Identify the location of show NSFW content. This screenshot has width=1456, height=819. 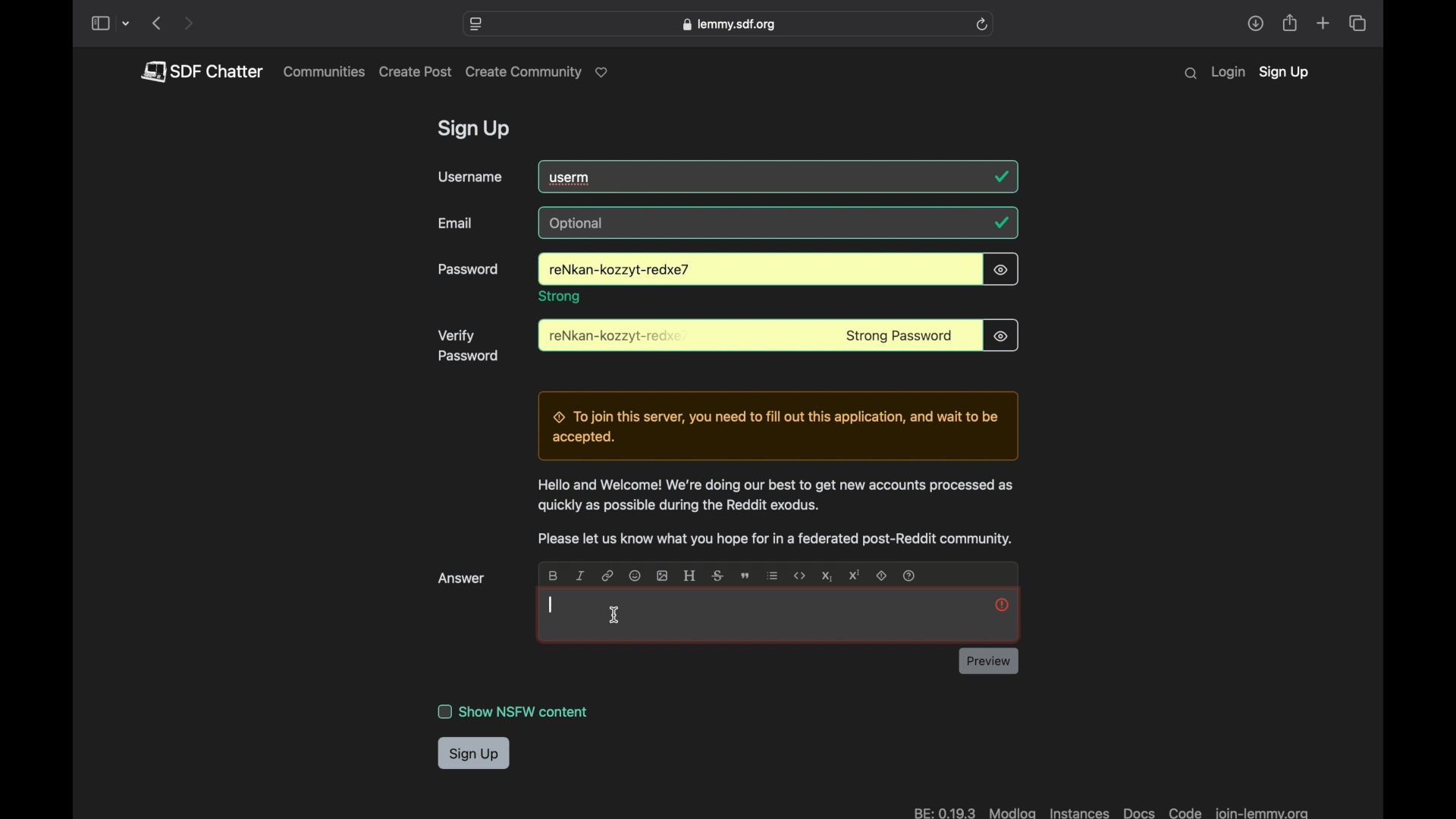
(514, 711).